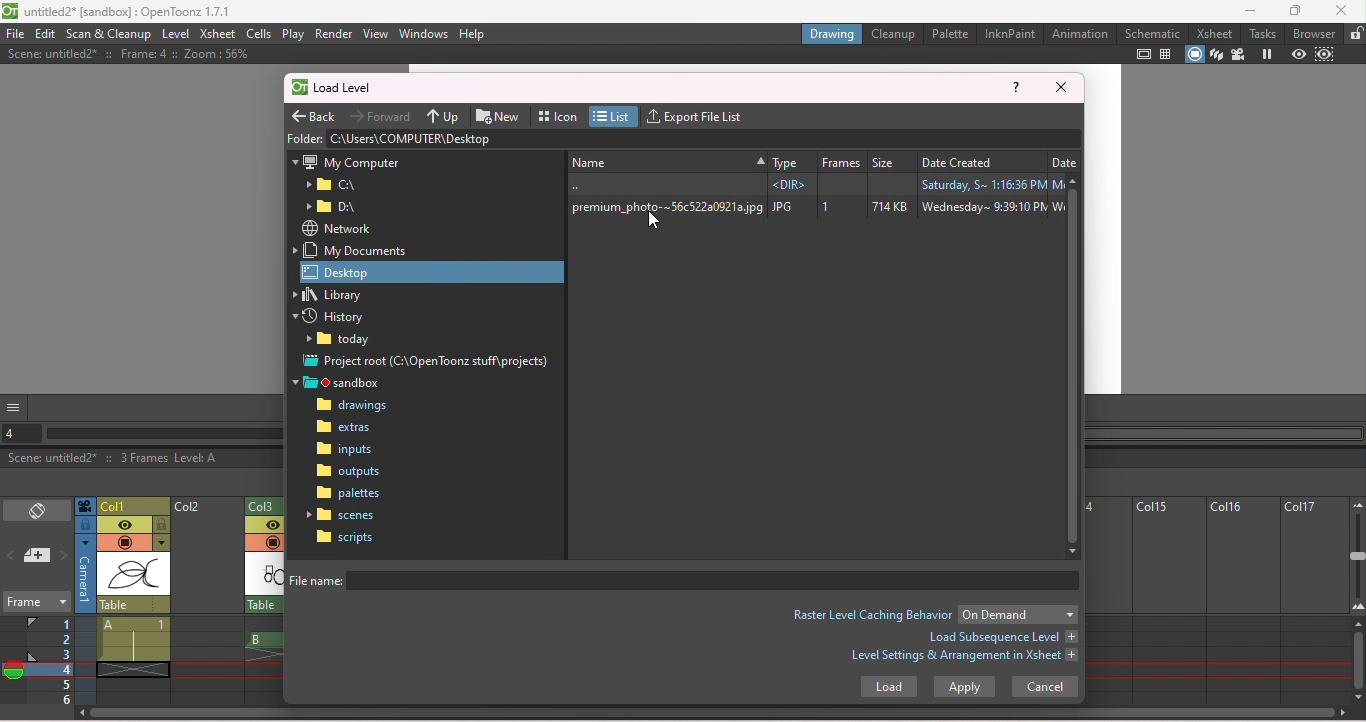 This screenshot has width=1366, height=722. I want to click on List, so click(615, 116).